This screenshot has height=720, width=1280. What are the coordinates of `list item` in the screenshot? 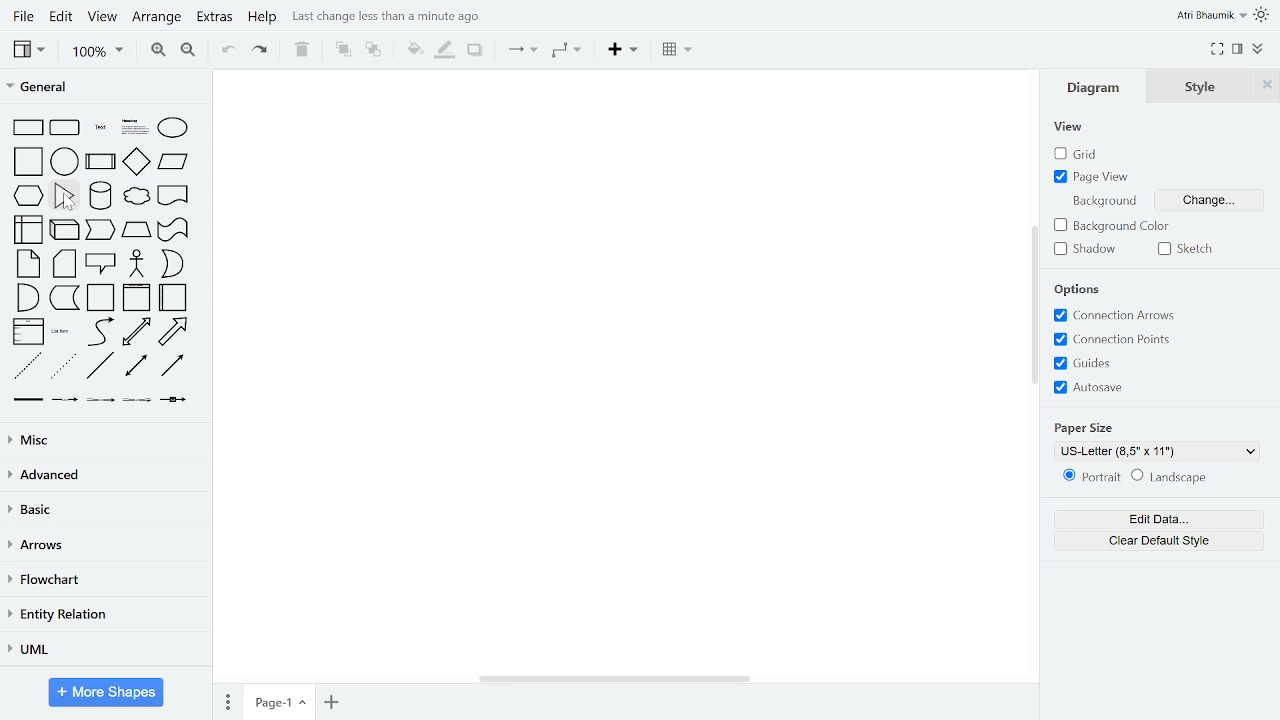 It's located at (62, 333).